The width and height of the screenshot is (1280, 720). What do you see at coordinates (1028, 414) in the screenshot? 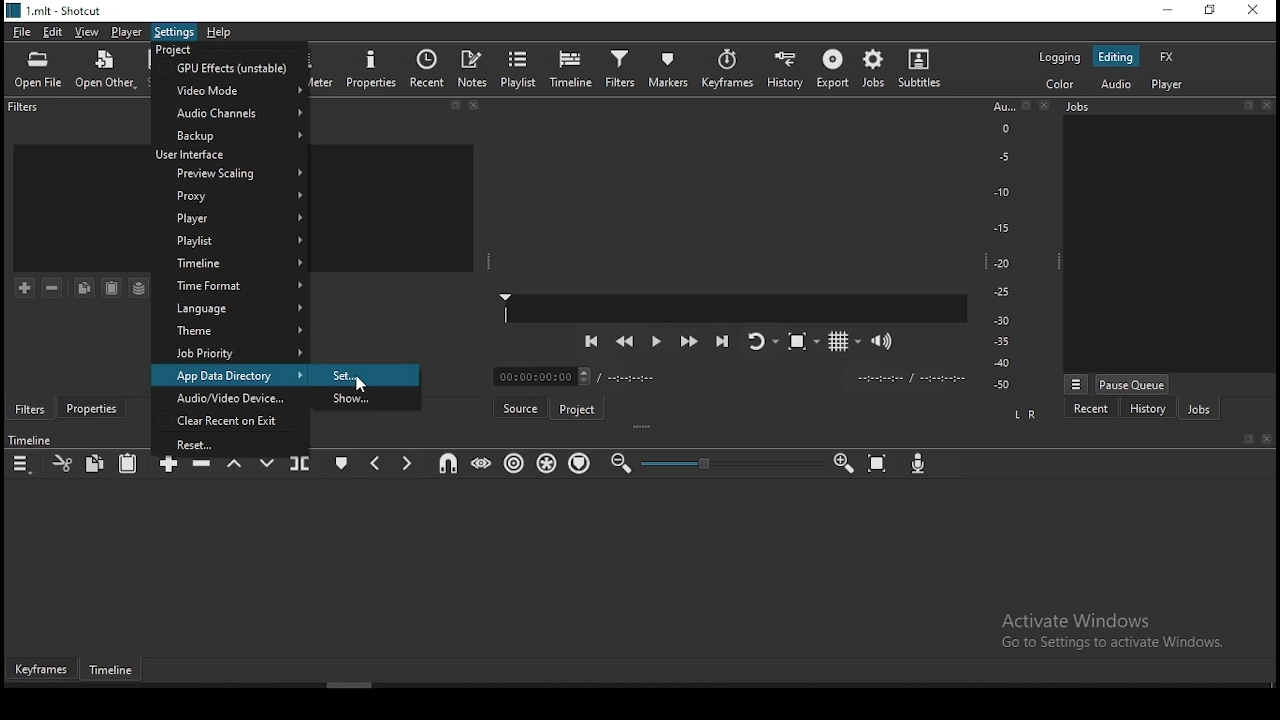
I see `Left and Right` at bounding box center [1028, 414].